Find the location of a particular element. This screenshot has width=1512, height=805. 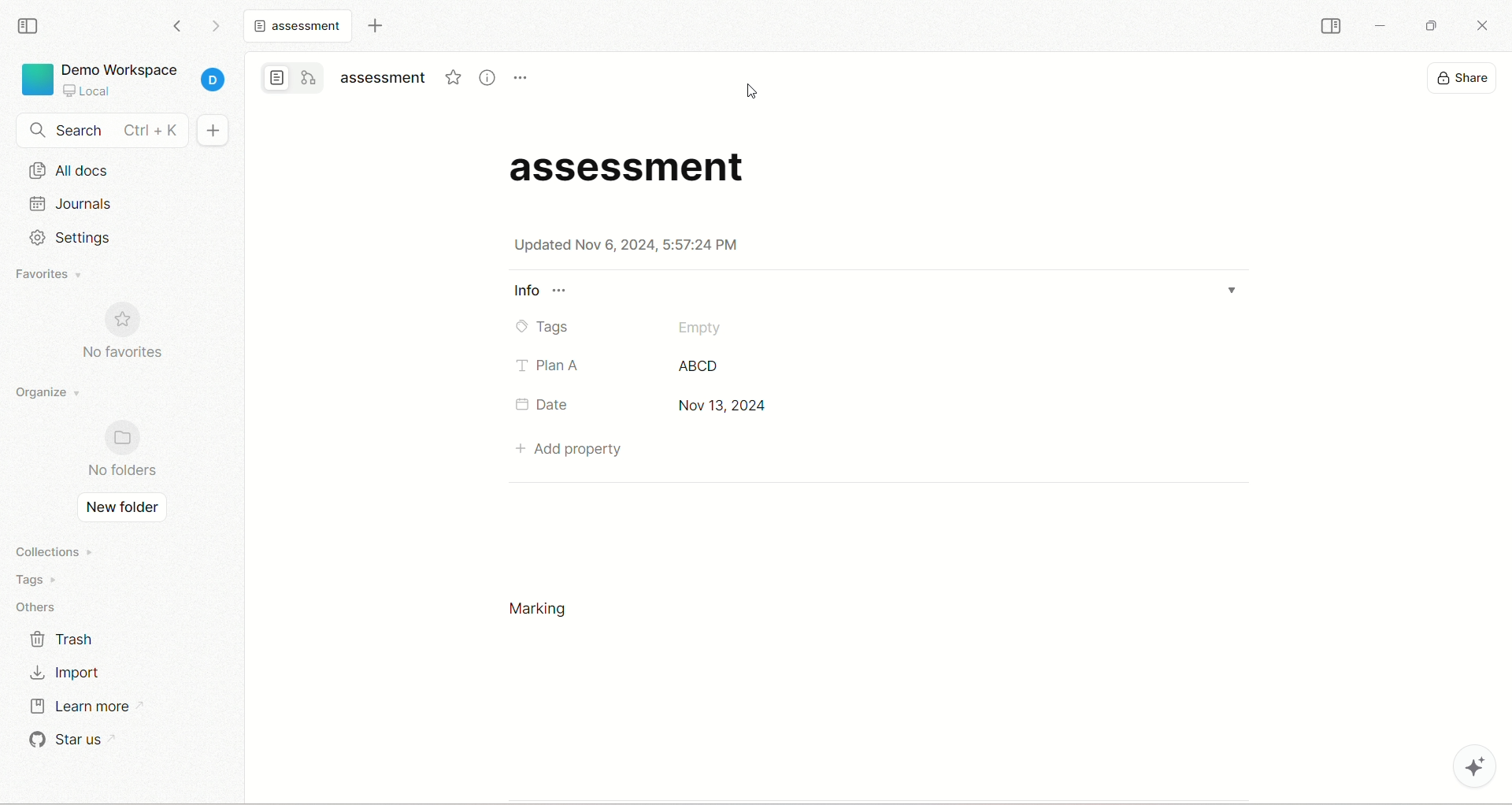

go back is located at coordinates (178, 27).